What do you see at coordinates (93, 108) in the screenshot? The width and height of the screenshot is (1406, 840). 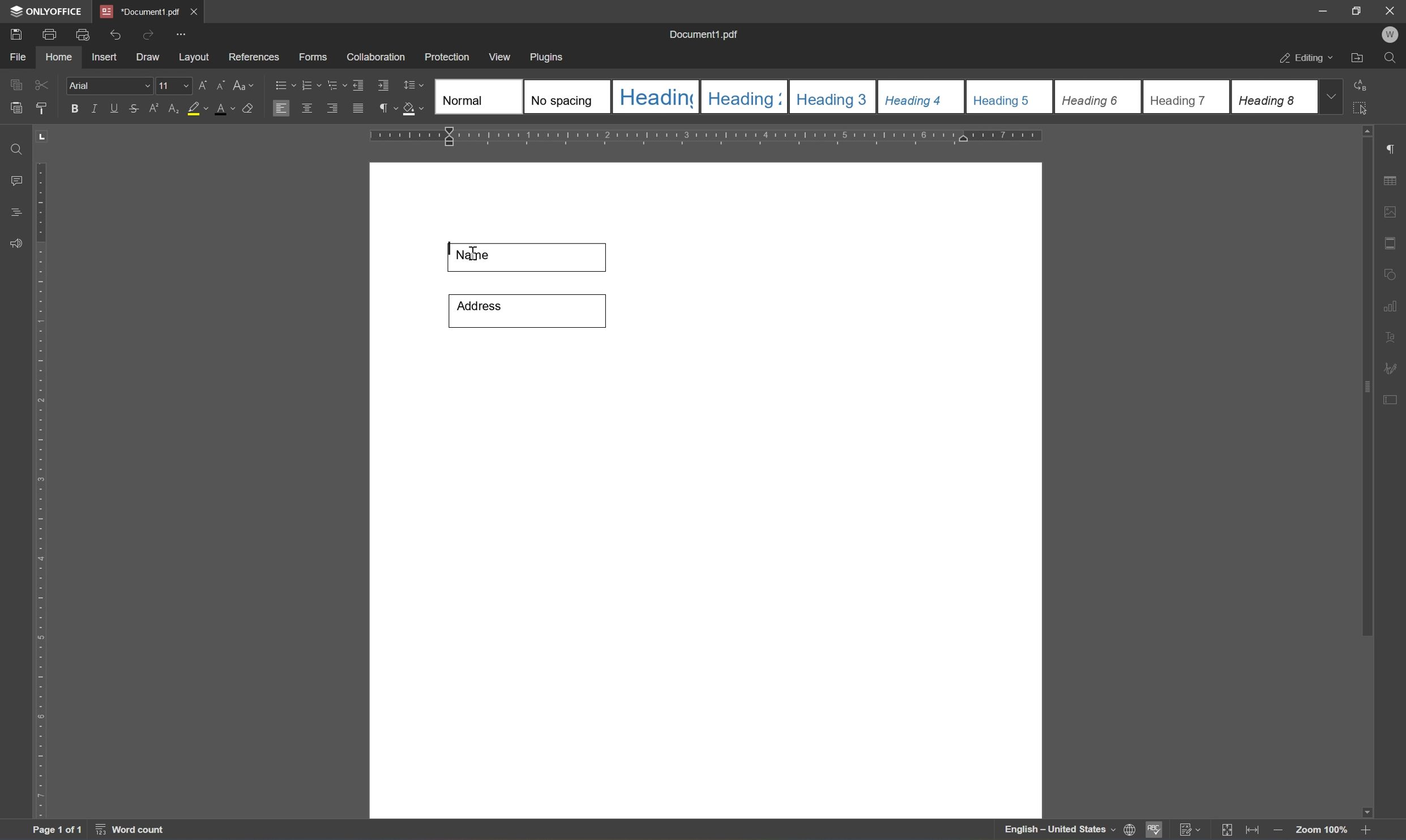 I see `italic` at bounding box center [93, 108].